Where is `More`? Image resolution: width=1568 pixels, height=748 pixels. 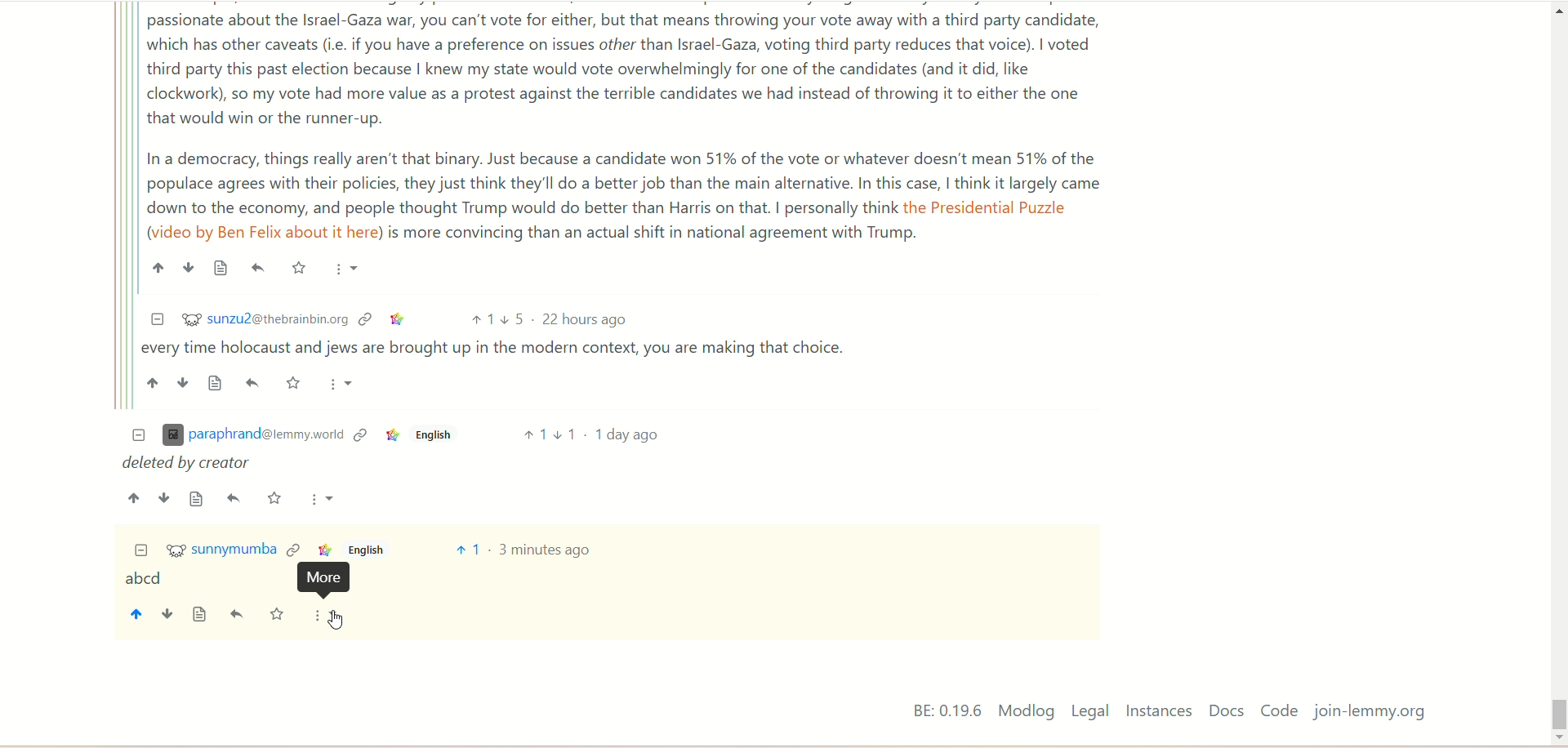 More is located at coordinates (347, 270).